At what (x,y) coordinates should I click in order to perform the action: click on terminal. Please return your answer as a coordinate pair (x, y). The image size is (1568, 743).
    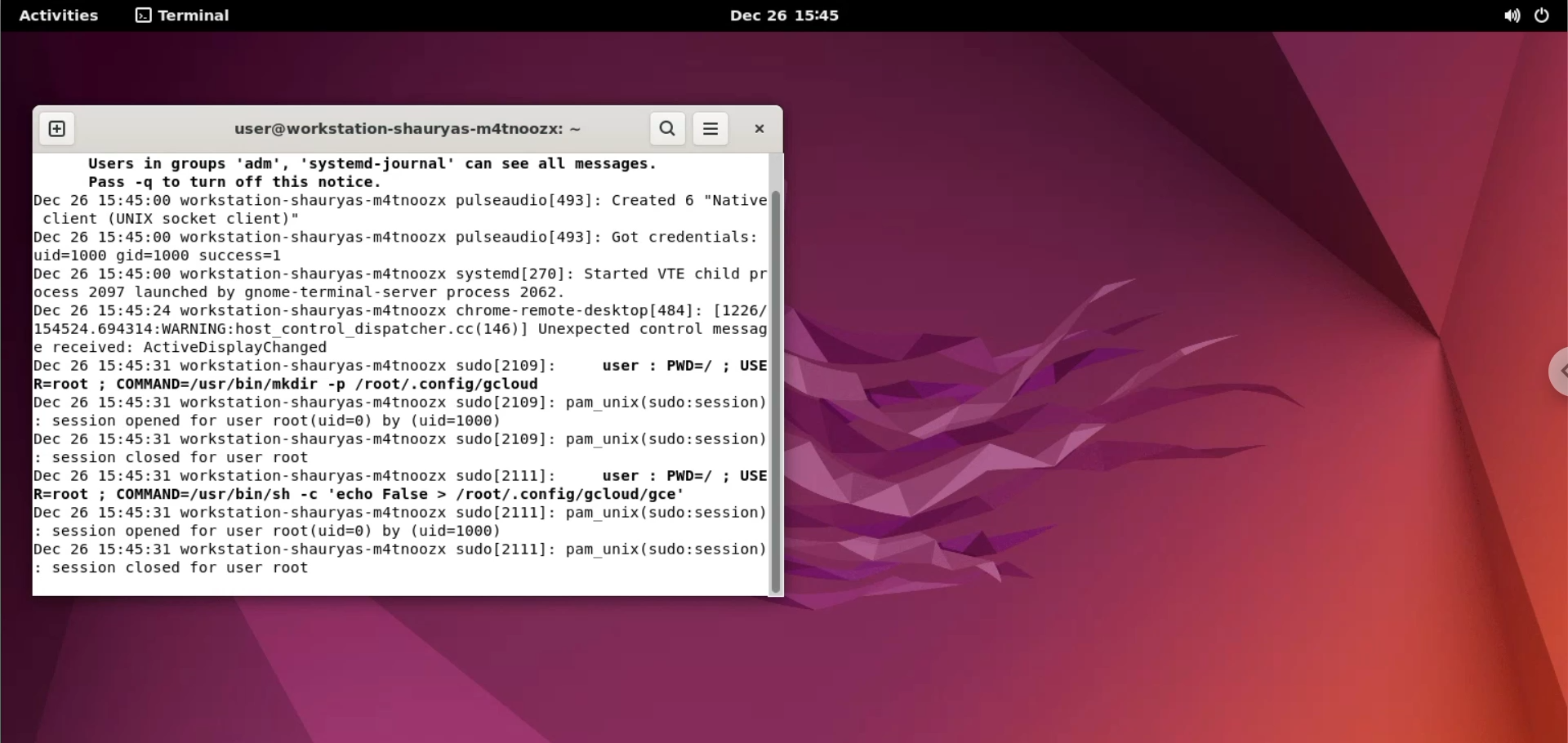
    Looking at the image, I should click on (185, 17).